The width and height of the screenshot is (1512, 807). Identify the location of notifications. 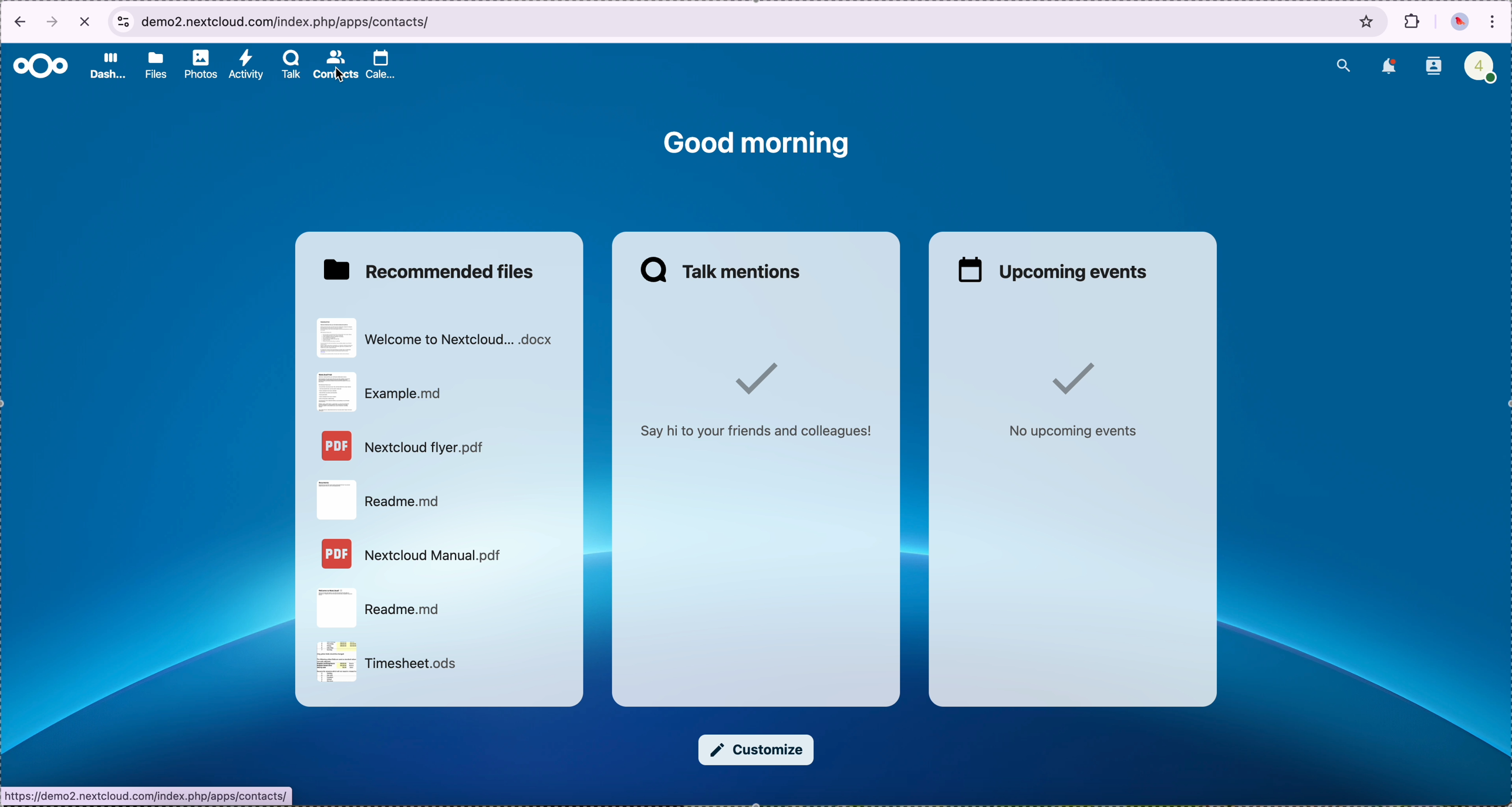
(1387, 67).